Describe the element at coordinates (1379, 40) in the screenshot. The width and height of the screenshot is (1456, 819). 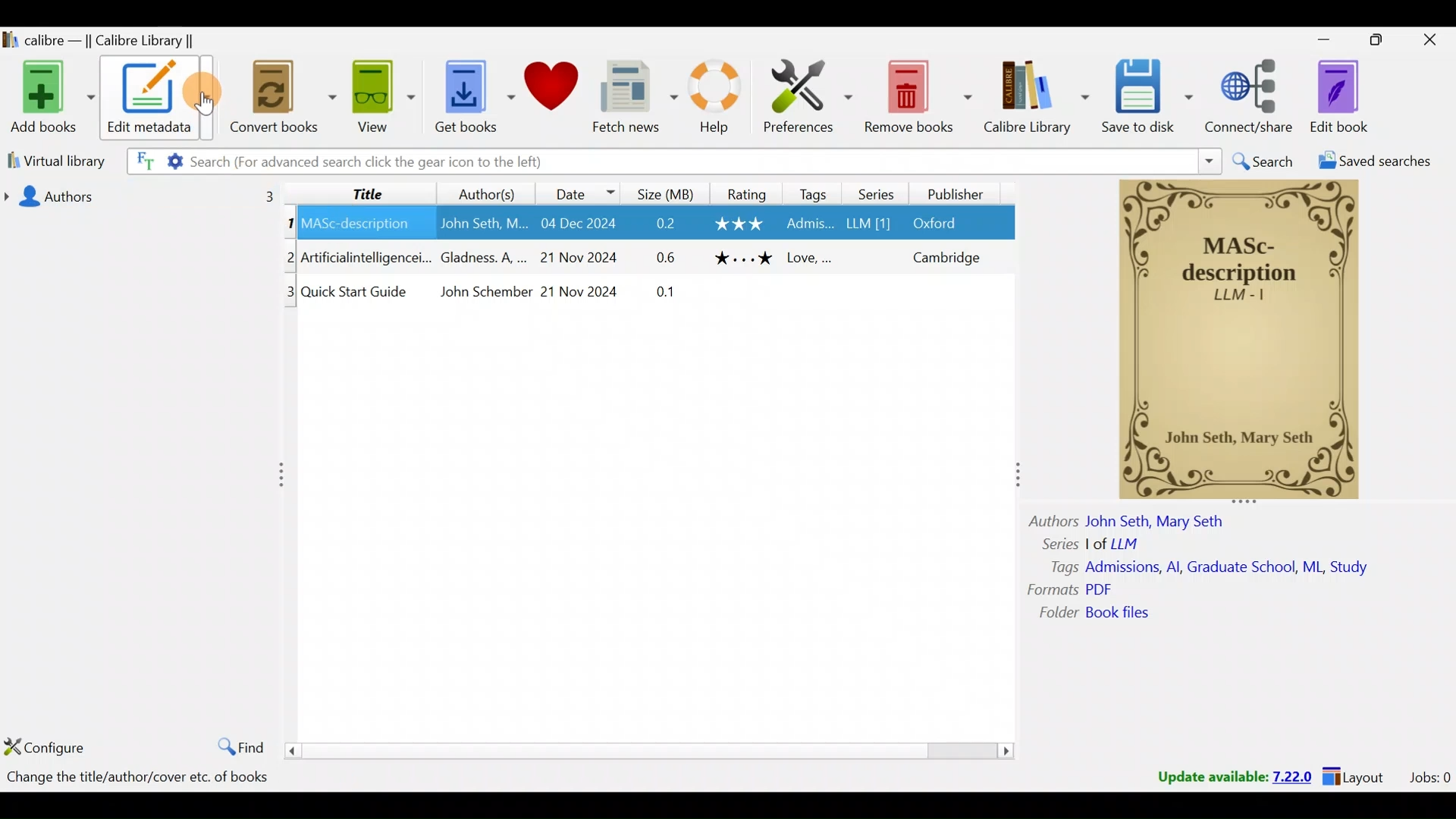
I see `Maximise` at that location.